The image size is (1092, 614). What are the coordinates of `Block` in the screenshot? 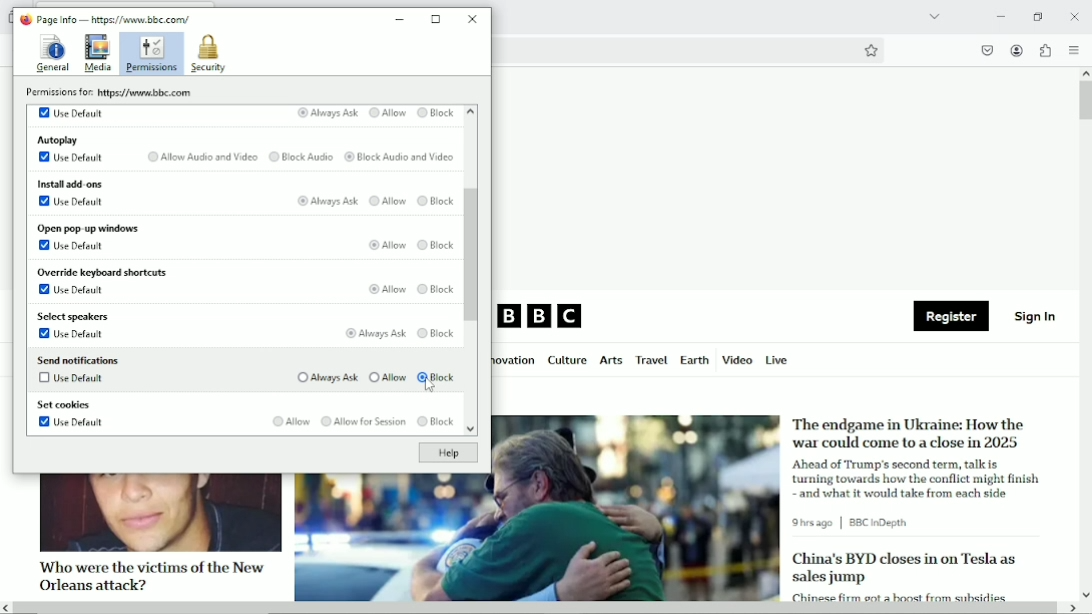 It's located at (435, 422).